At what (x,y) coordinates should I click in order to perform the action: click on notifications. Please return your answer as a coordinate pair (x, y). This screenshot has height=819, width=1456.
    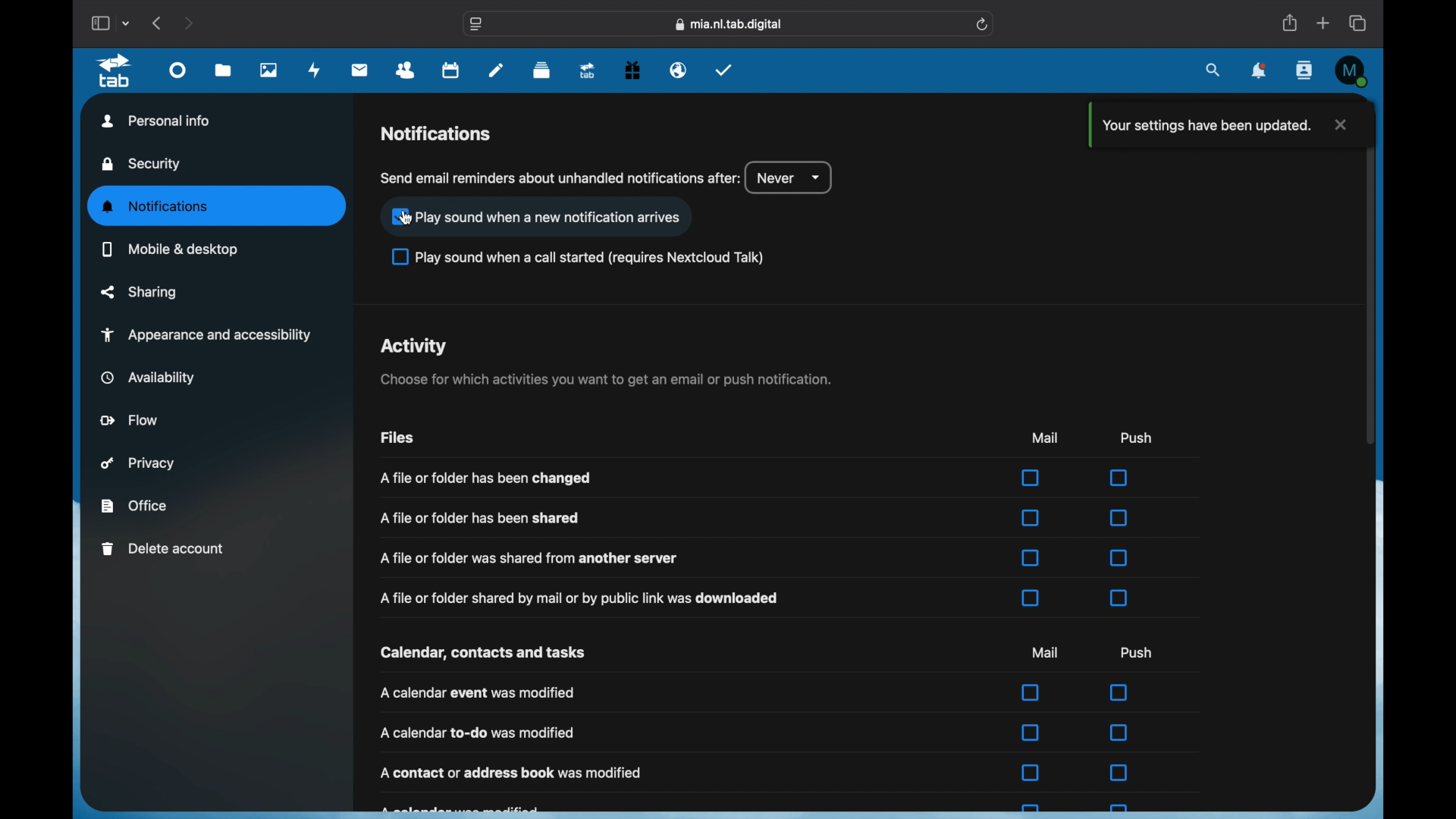
    Looking at the image, I should click on (155, 207).